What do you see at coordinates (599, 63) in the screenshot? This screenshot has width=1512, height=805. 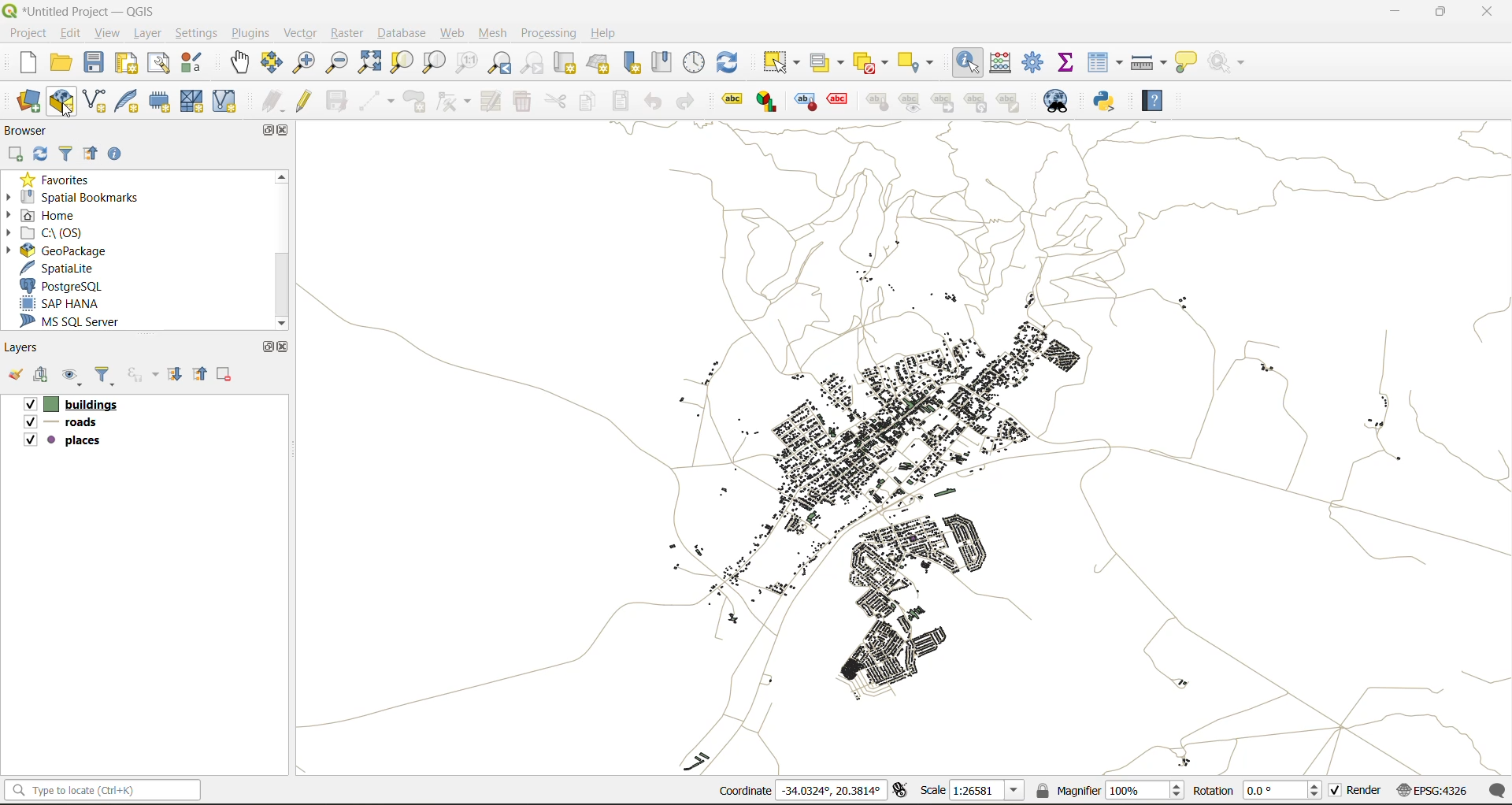 I see `new 3d map view` at bounding box center [599, 63].